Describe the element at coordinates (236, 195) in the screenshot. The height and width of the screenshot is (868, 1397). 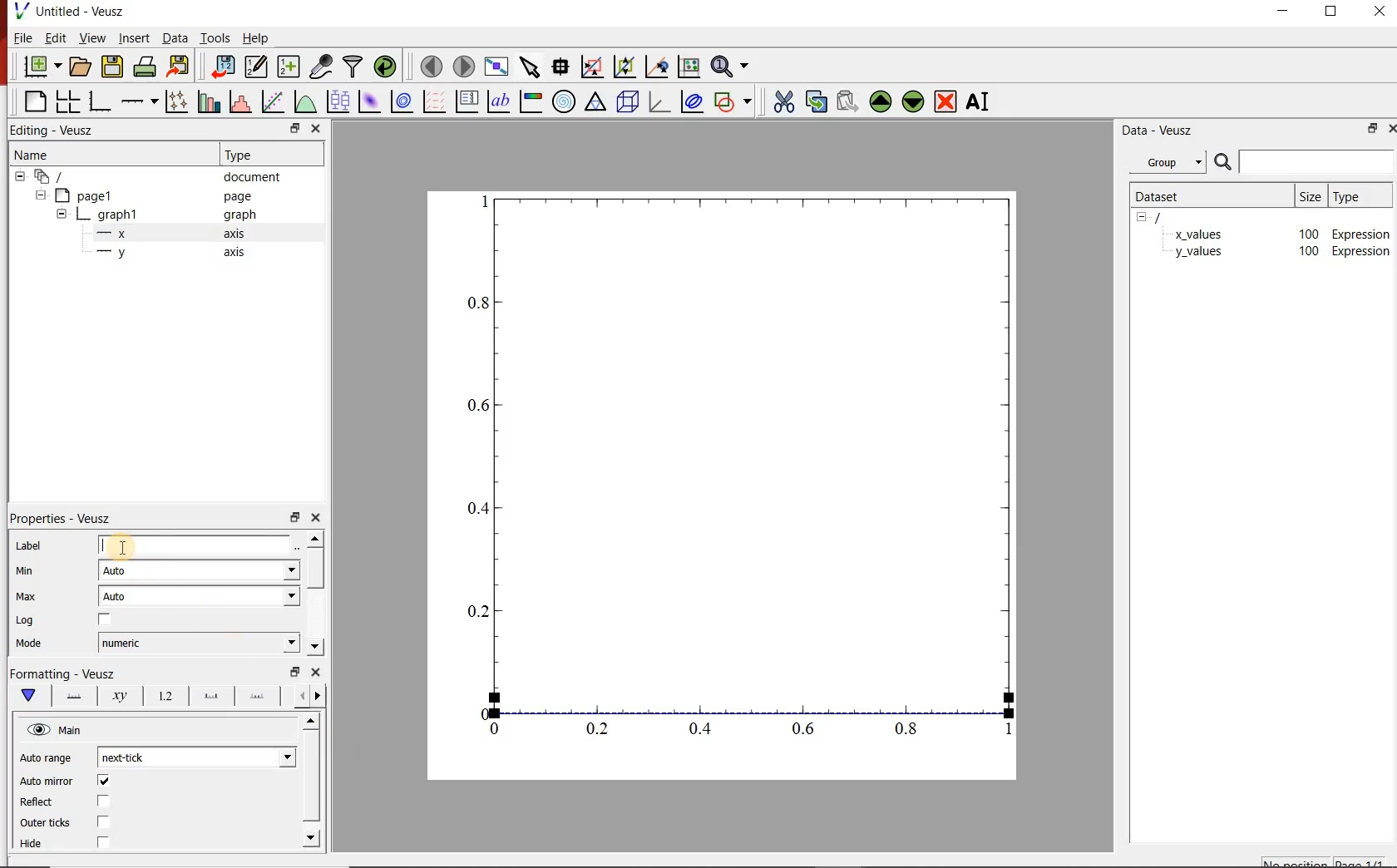
I see `page` at that location.